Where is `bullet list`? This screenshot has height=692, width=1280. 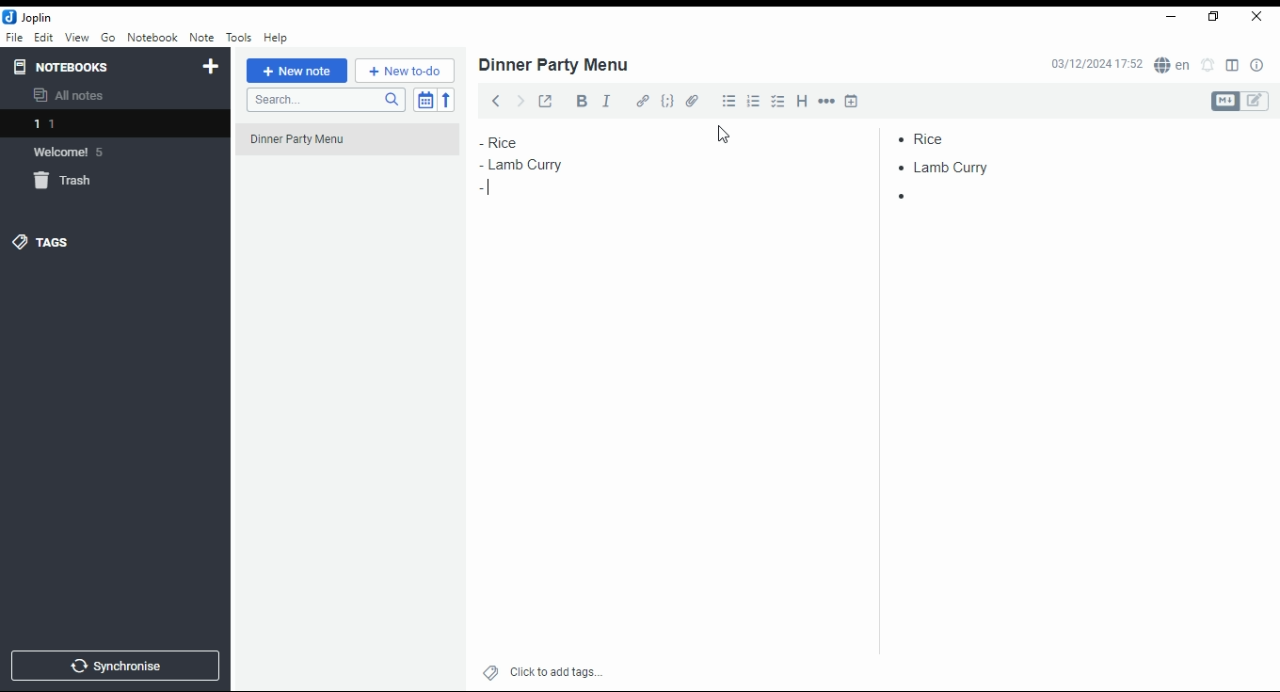 bullet list is located at coordinates (731, 101).